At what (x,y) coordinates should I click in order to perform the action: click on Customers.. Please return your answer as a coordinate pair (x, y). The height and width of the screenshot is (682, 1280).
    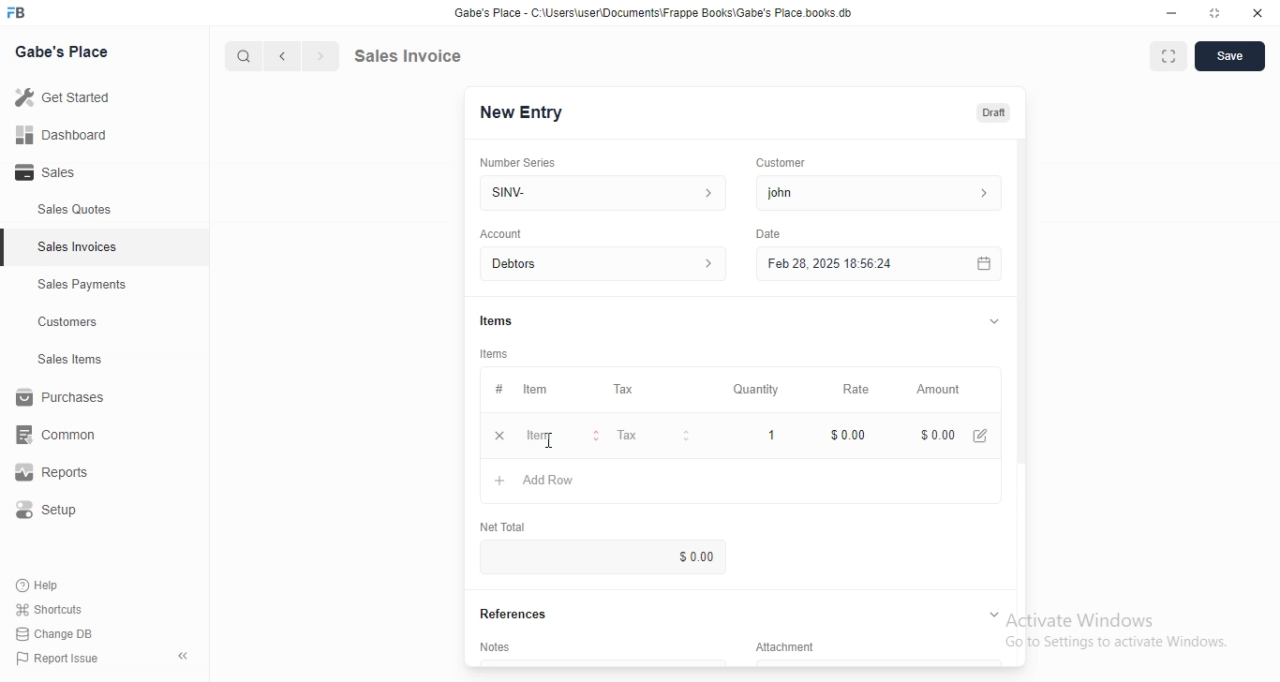
    Looking at the image, I should click on (62, 324).